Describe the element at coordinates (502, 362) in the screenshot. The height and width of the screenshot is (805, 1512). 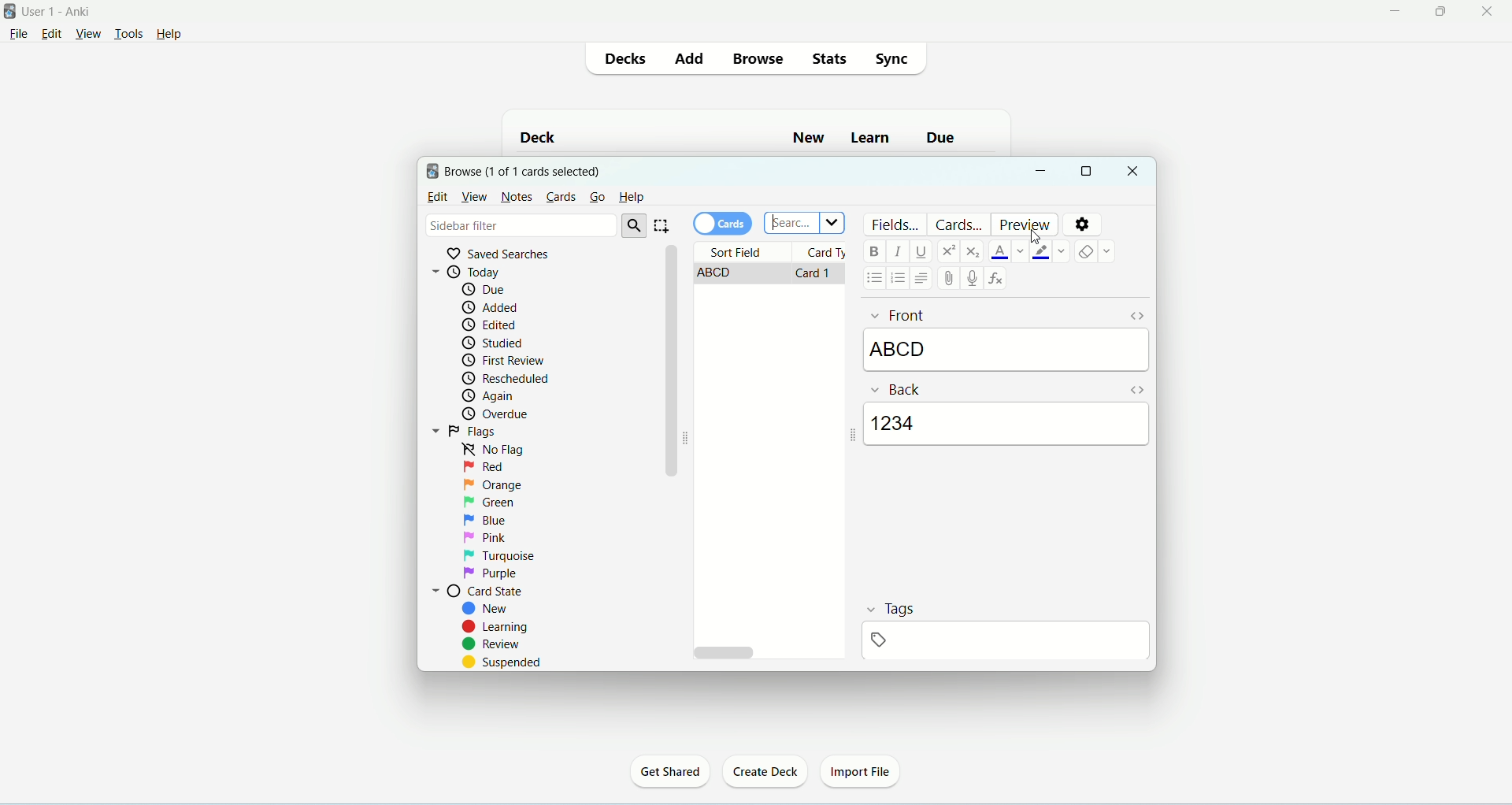
I see `first review` at that location.